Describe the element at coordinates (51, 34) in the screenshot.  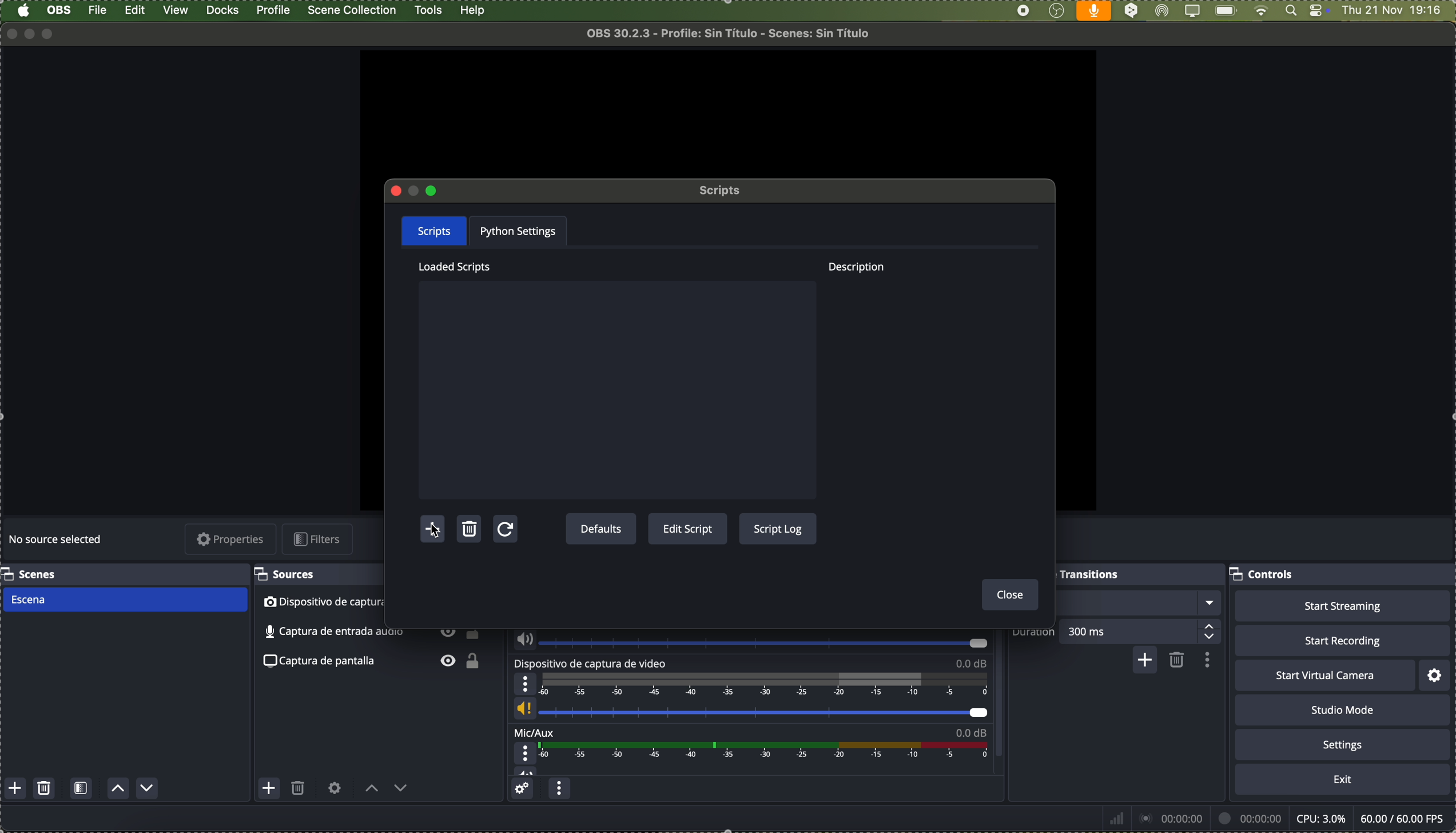
I see `maximize program` at that location.